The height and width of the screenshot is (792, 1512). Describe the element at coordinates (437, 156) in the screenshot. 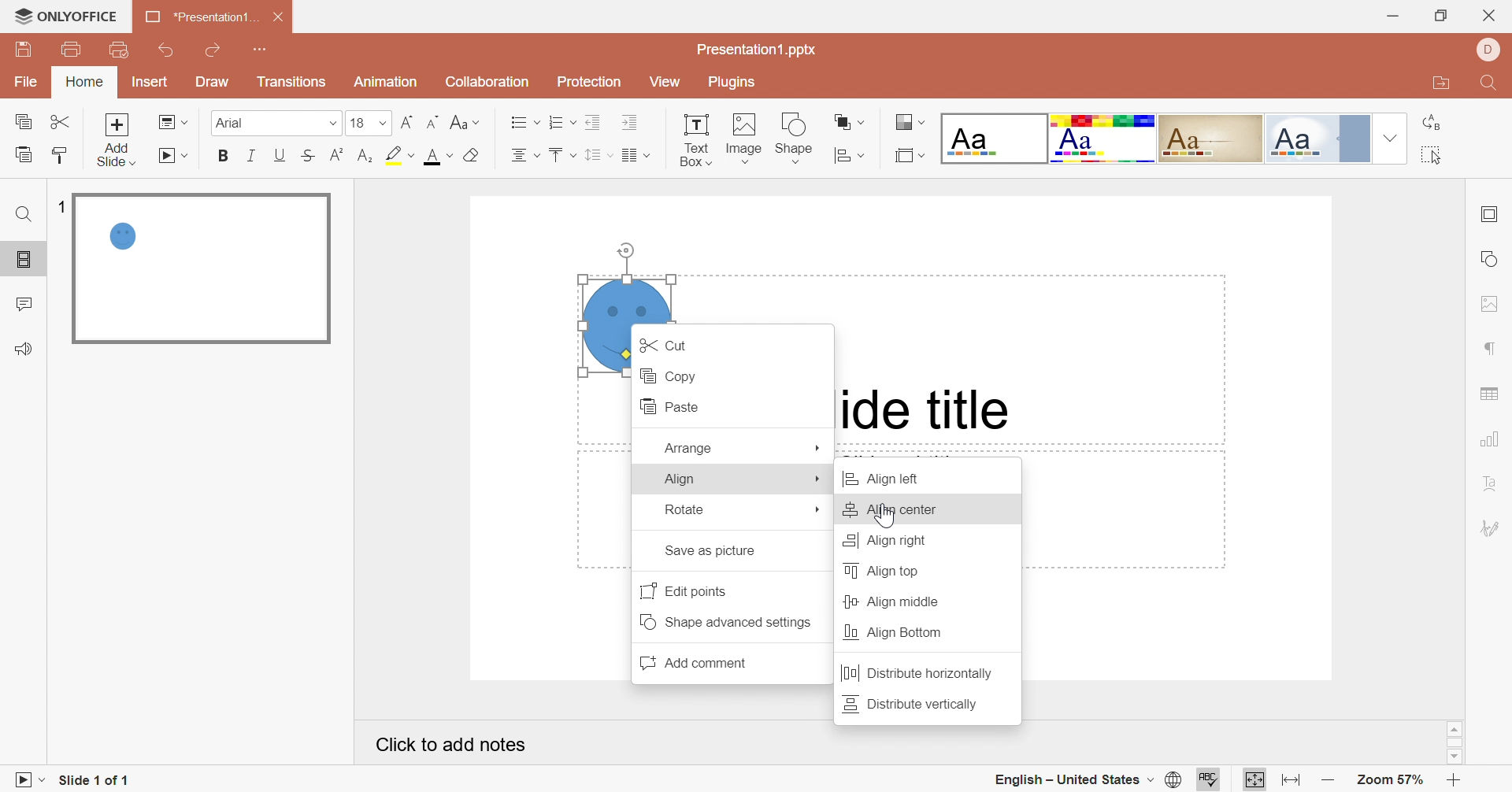

I see `Font color` at that location.